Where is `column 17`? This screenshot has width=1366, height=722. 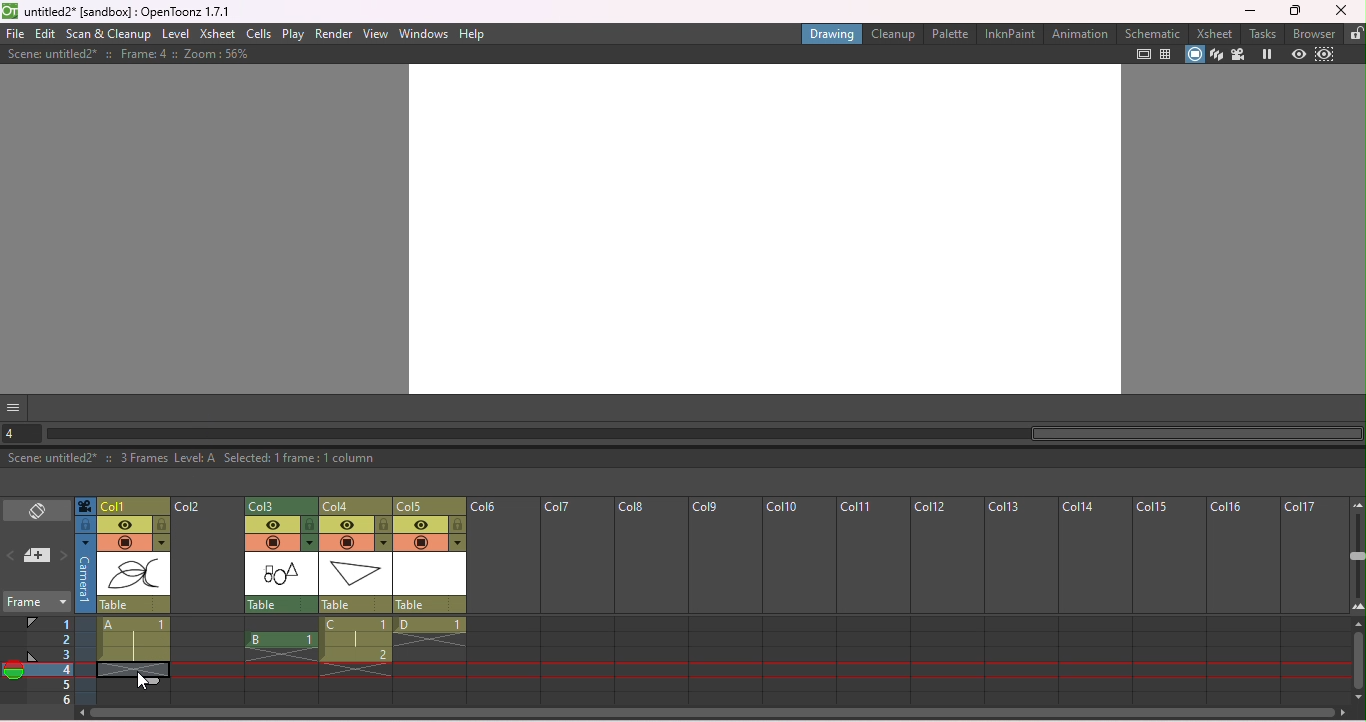
column 17 is located at coordinates (1314, 601).